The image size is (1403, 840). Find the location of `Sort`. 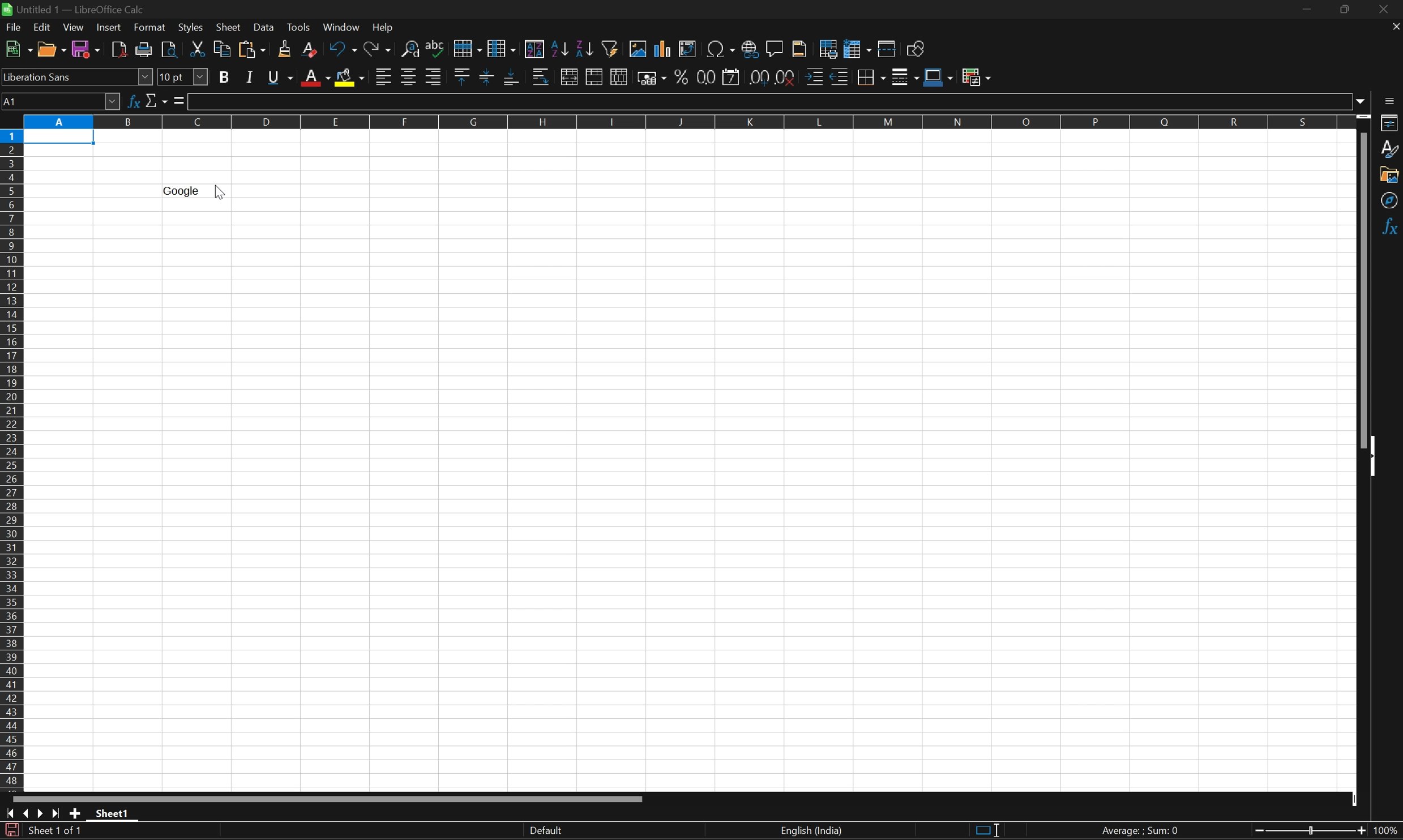

Sort is located at coordinates (534, 48).